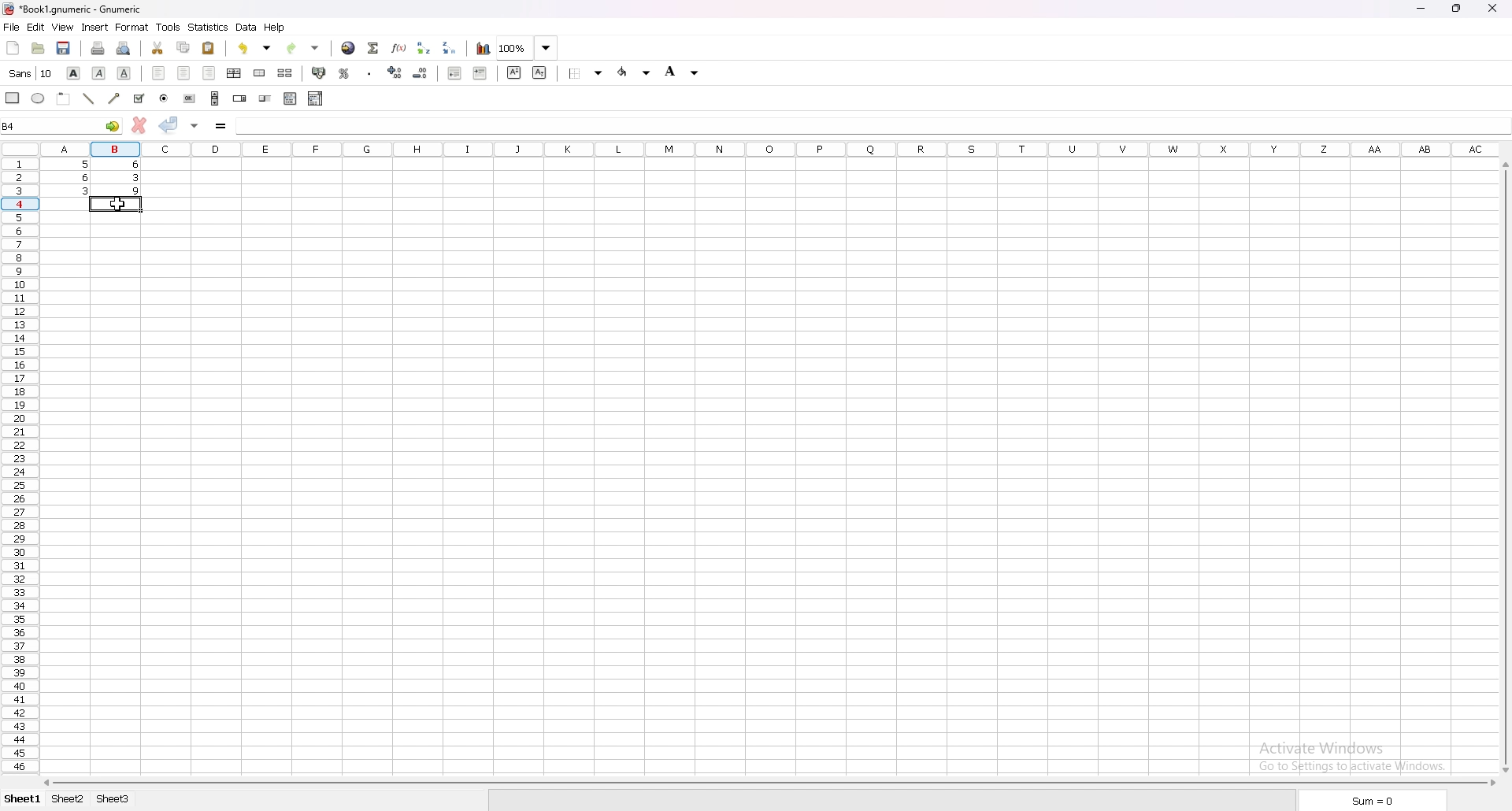 This screenshot has width=1512, height=811. Describe the element at coordinates (528, 46) in the screenshot. I see `zoom` at that location.